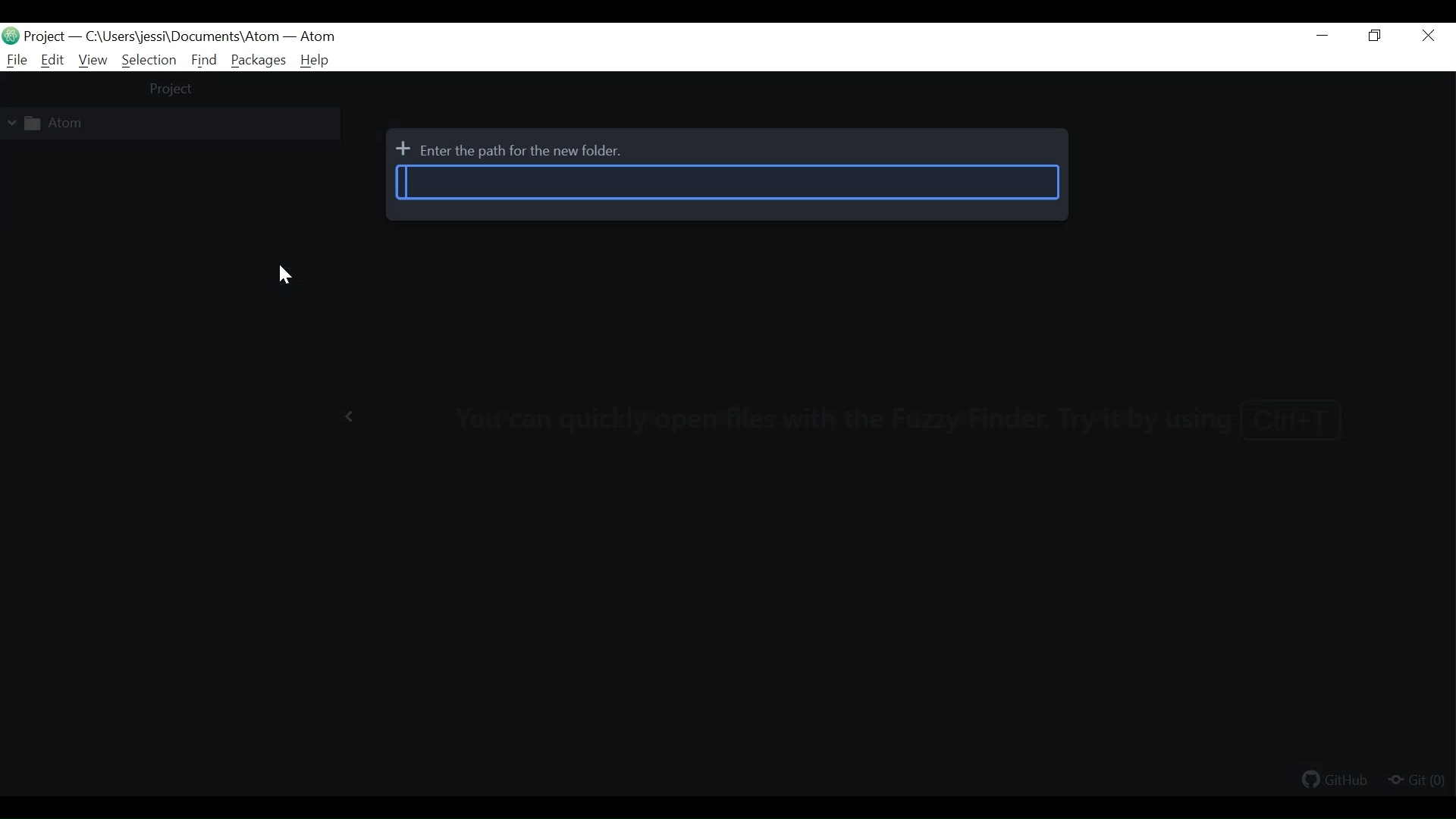 Image resolution: width=1456 pixels, height=819 pixels. I want to click on Atom, so click(317, 37).